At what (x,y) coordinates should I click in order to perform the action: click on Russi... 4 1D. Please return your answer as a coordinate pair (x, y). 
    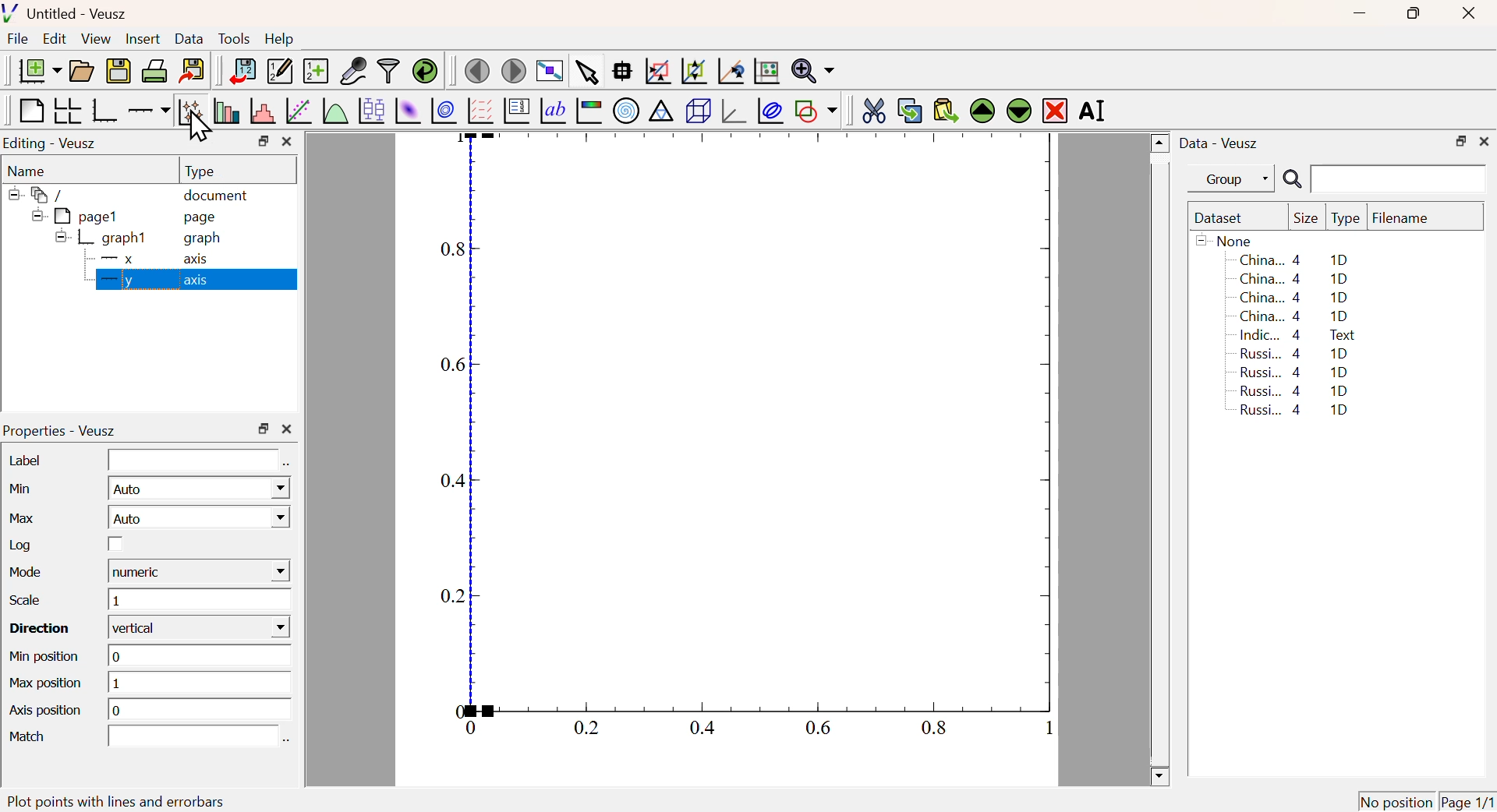
    Looking at the image, I should click on (1291, 390).